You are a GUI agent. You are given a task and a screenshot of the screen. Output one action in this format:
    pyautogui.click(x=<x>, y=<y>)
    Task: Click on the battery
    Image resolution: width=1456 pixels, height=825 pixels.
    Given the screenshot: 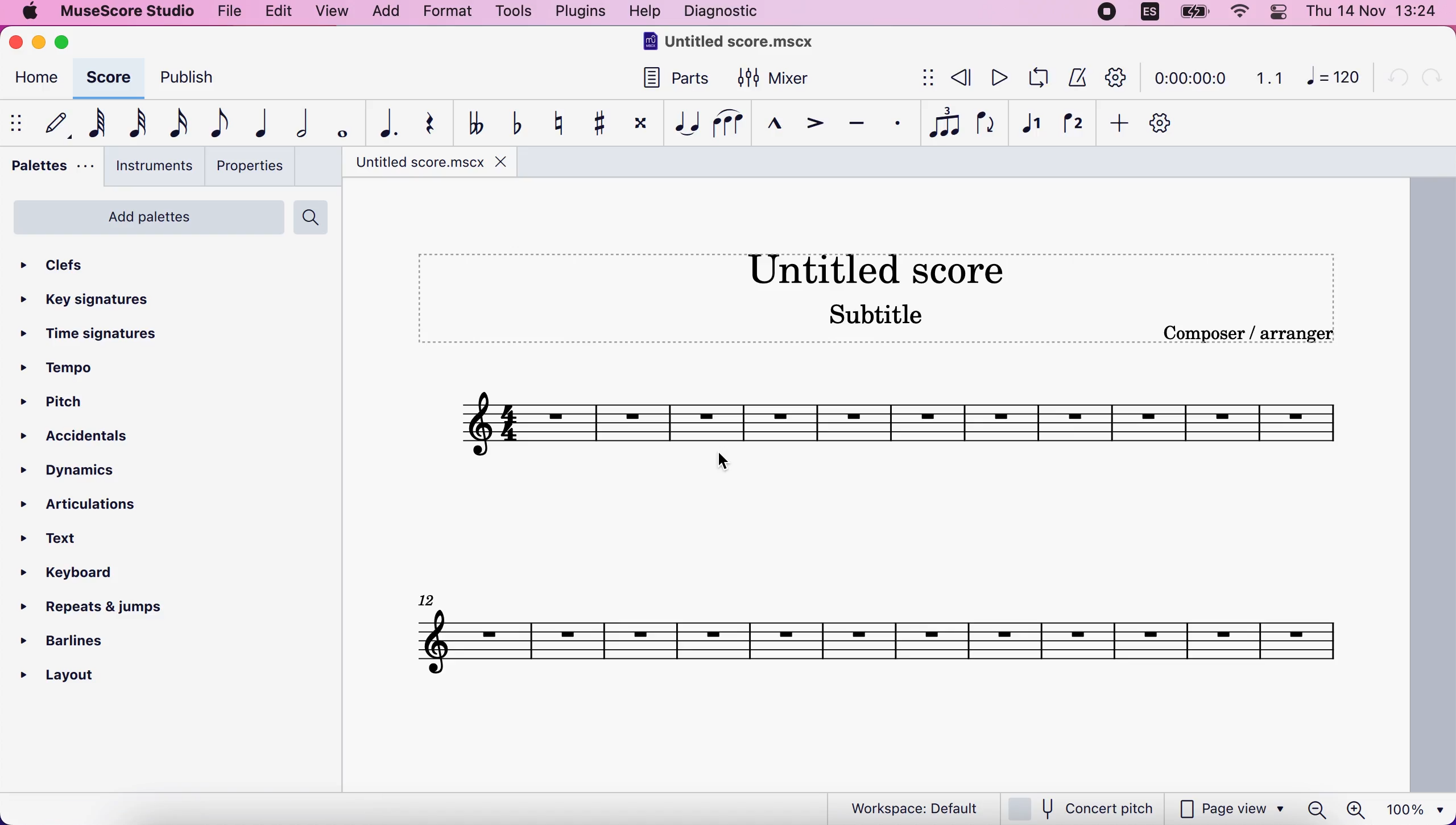 What is the action you would take?
    pyautogui.click(x=1195, y=13)
    